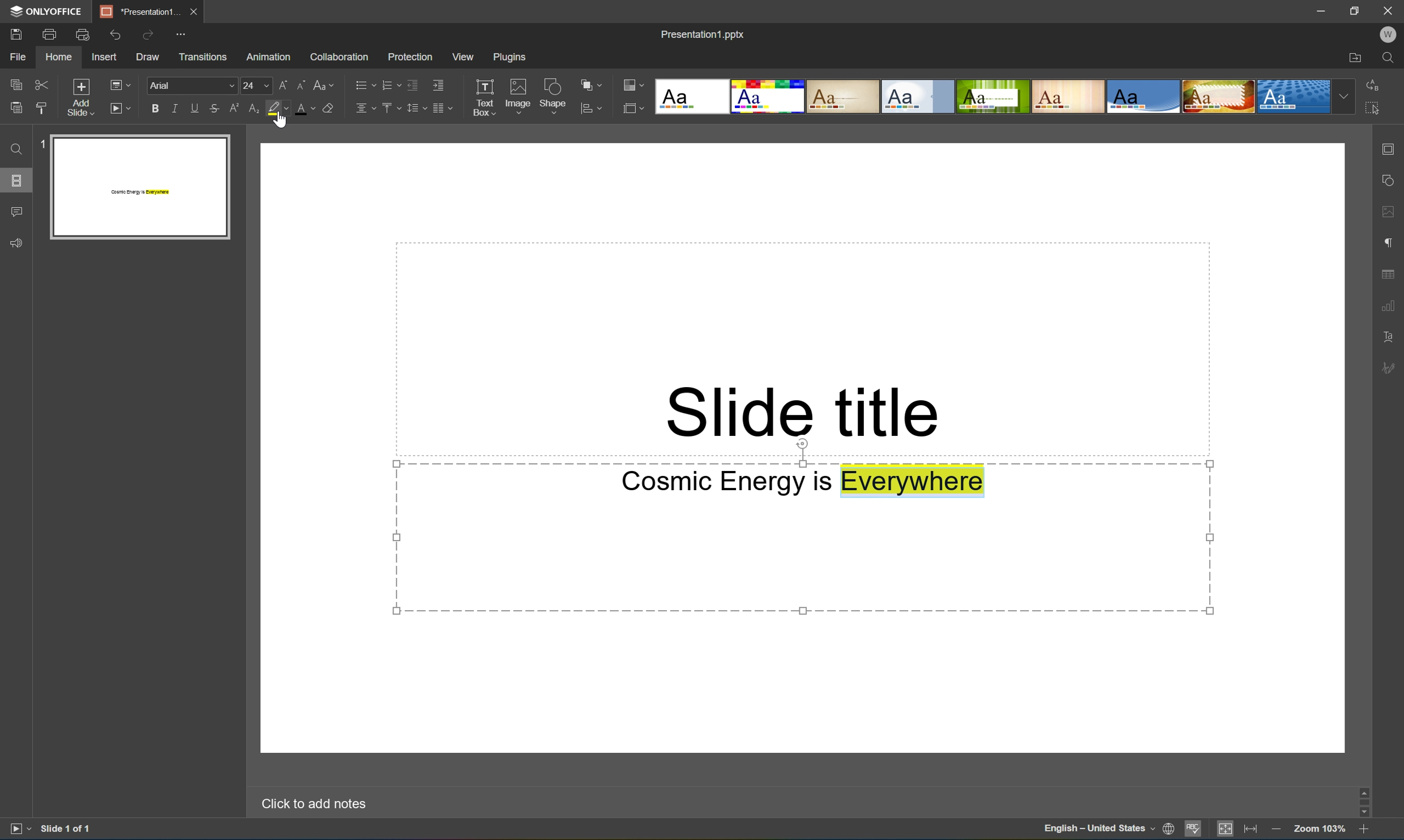 The width and height of the screenshot is (1404, 840). What do you see at coordinates (416, 108) in the screenshot?
I see `Line spacing` at bounding box center [416, 108].